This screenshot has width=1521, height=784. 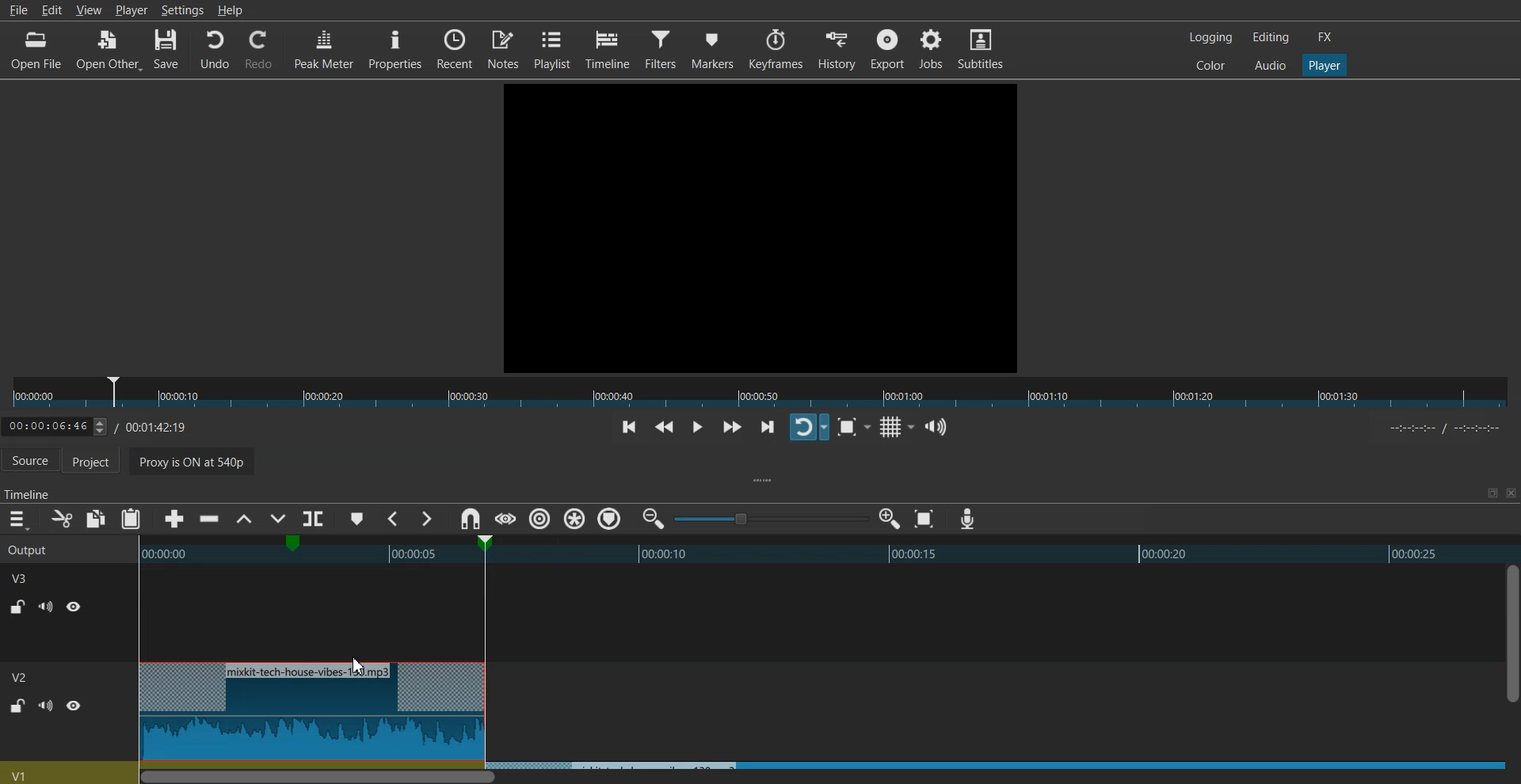 I want to click on Cursor, so click(x=357, y=666).